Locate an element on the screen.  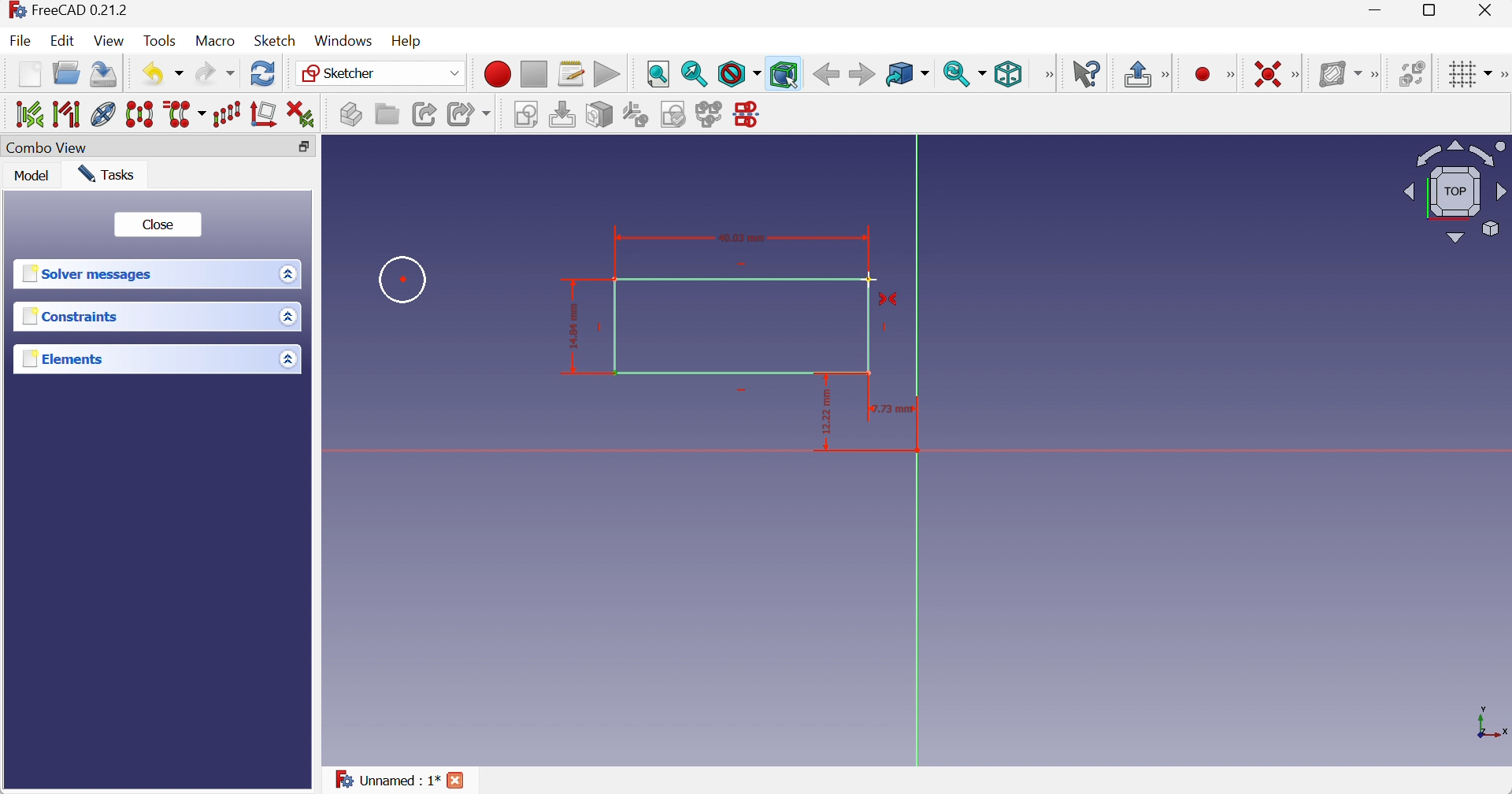
Create part is located at coordinates (350, 113).